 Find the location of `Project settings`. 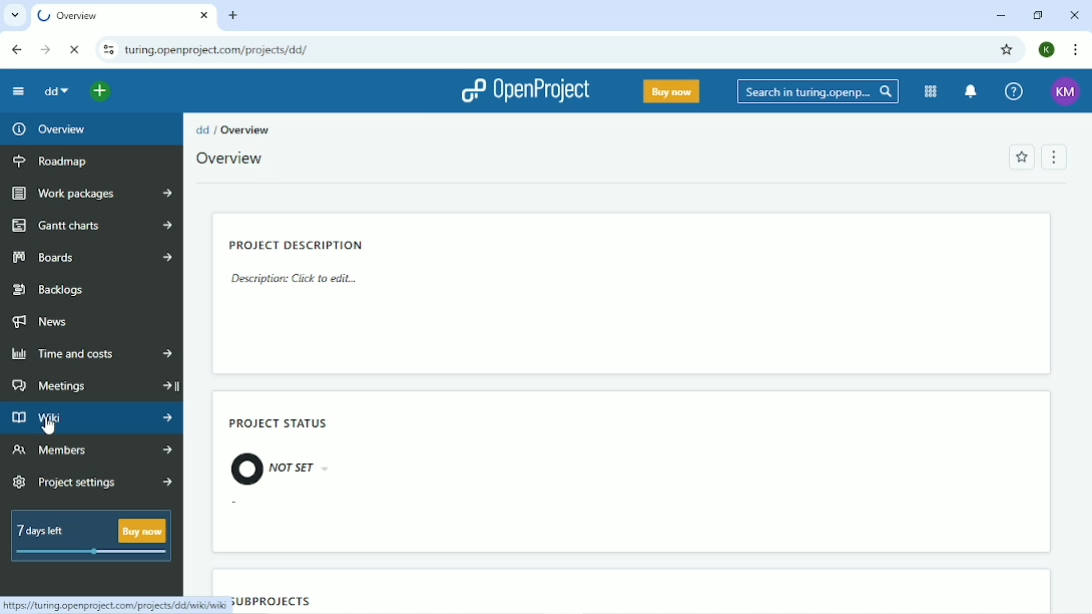

Project settings is located at coordinates (81, 481).